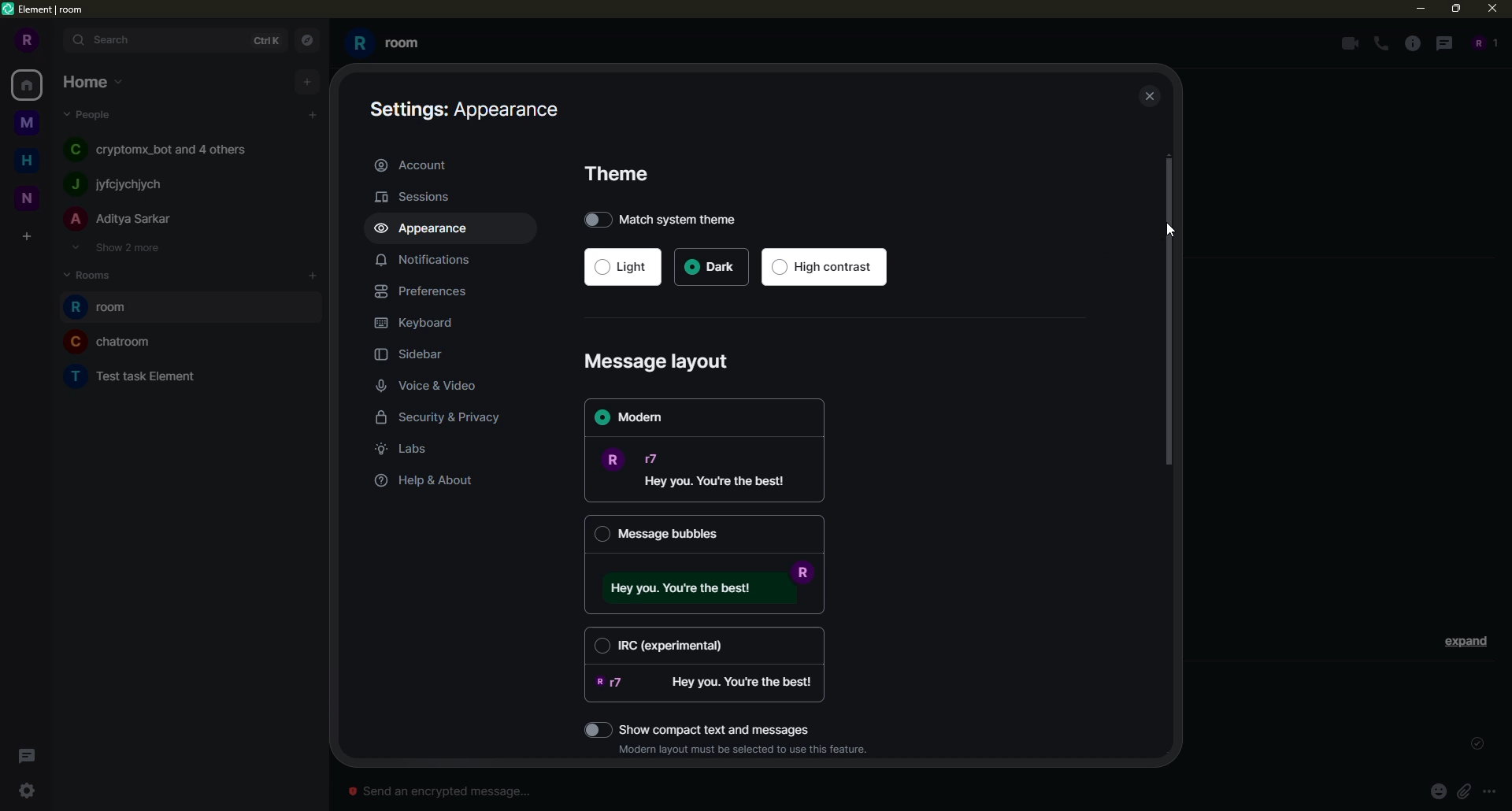 The width and height of the screenshot is (1512, 811). What do you see at coordinates (30, 84) in the screenshot?
I see `home` at bounding box center [30, 84].